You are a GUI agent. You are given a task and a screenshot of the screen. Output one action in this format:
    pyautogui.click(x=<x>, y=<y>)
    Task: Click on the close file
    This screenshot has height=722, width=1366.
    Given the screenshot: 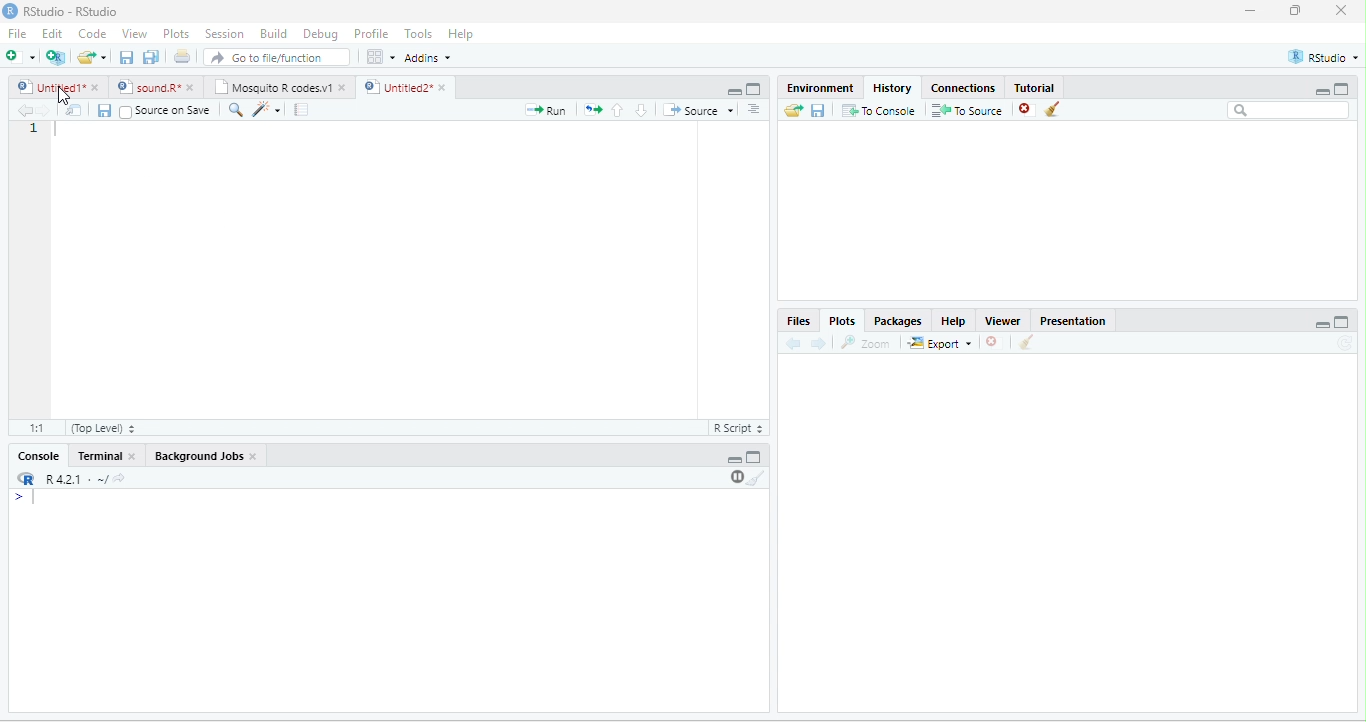 What is the action you would take?
    pyautogui.click(x=1027, y=110)
    